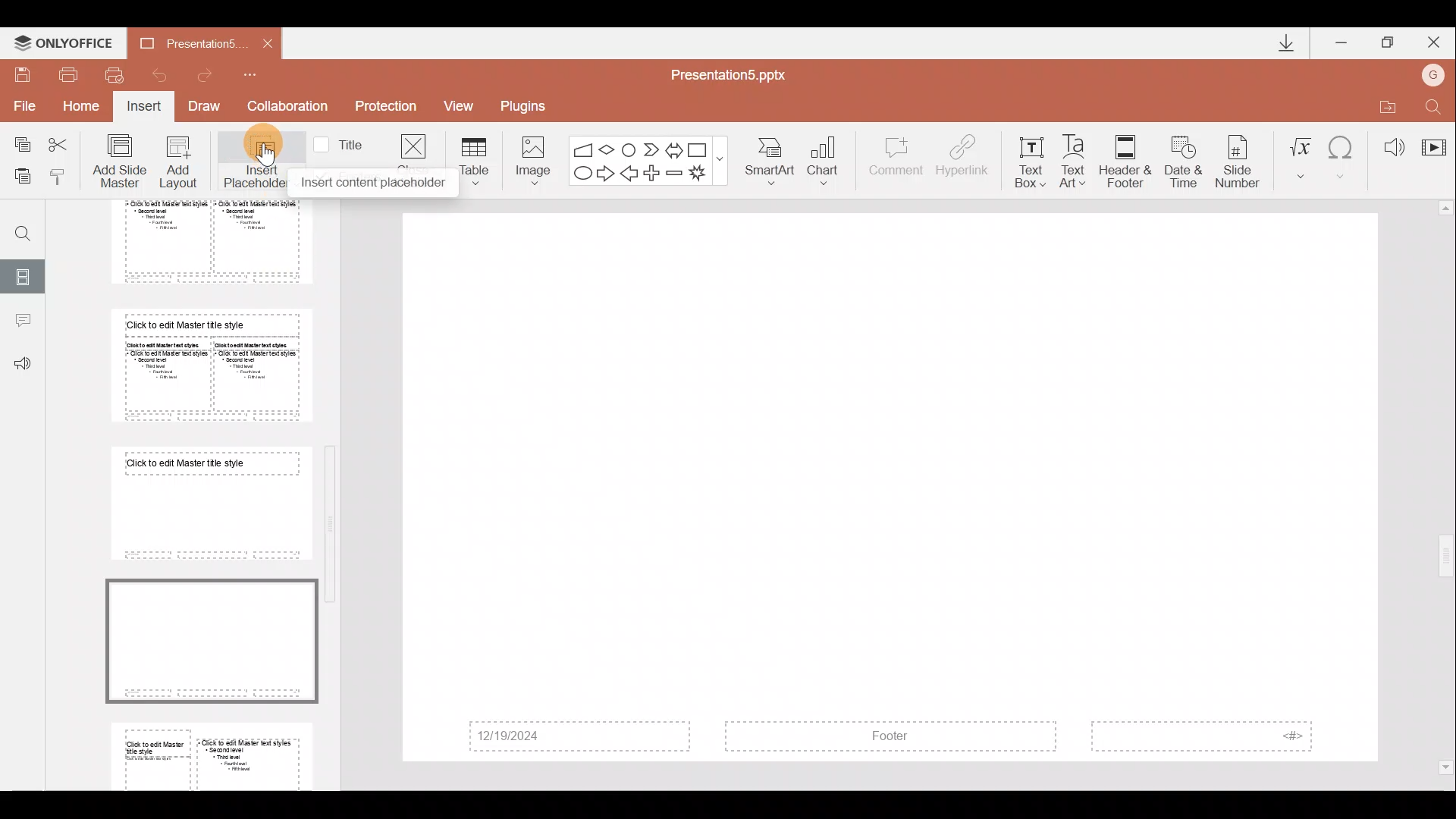 Image resolution: width=1456 pixels, height=819 pixels. What do you see at coordinates (964, 158) in the screenshot?
I see `Hyperlink` at bounding box center [964, 158].